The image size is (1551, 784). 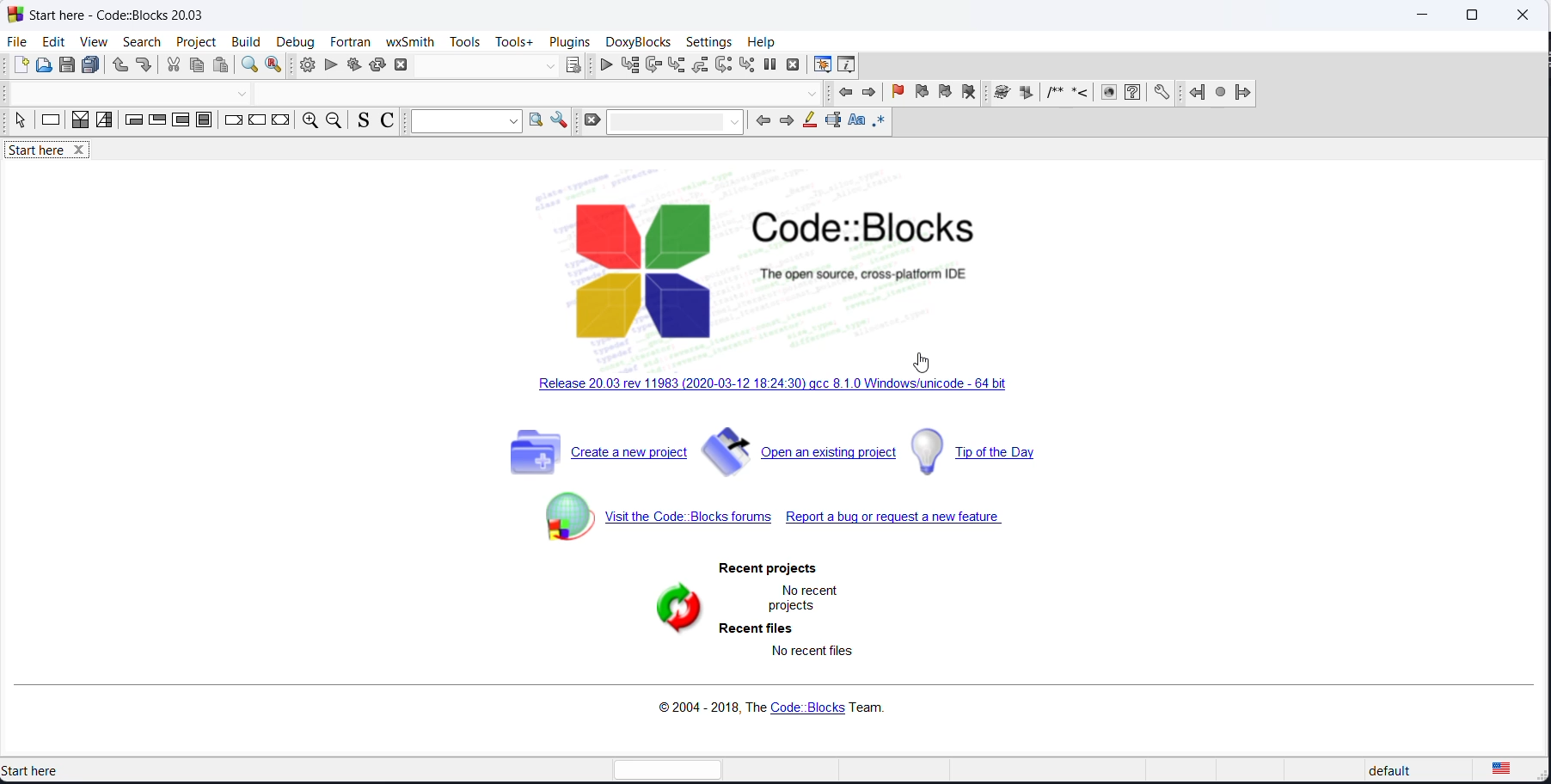 What do you see at coordinates (81, 124) in the screenshot?
I see `decision` at bounding box center [81, 124].